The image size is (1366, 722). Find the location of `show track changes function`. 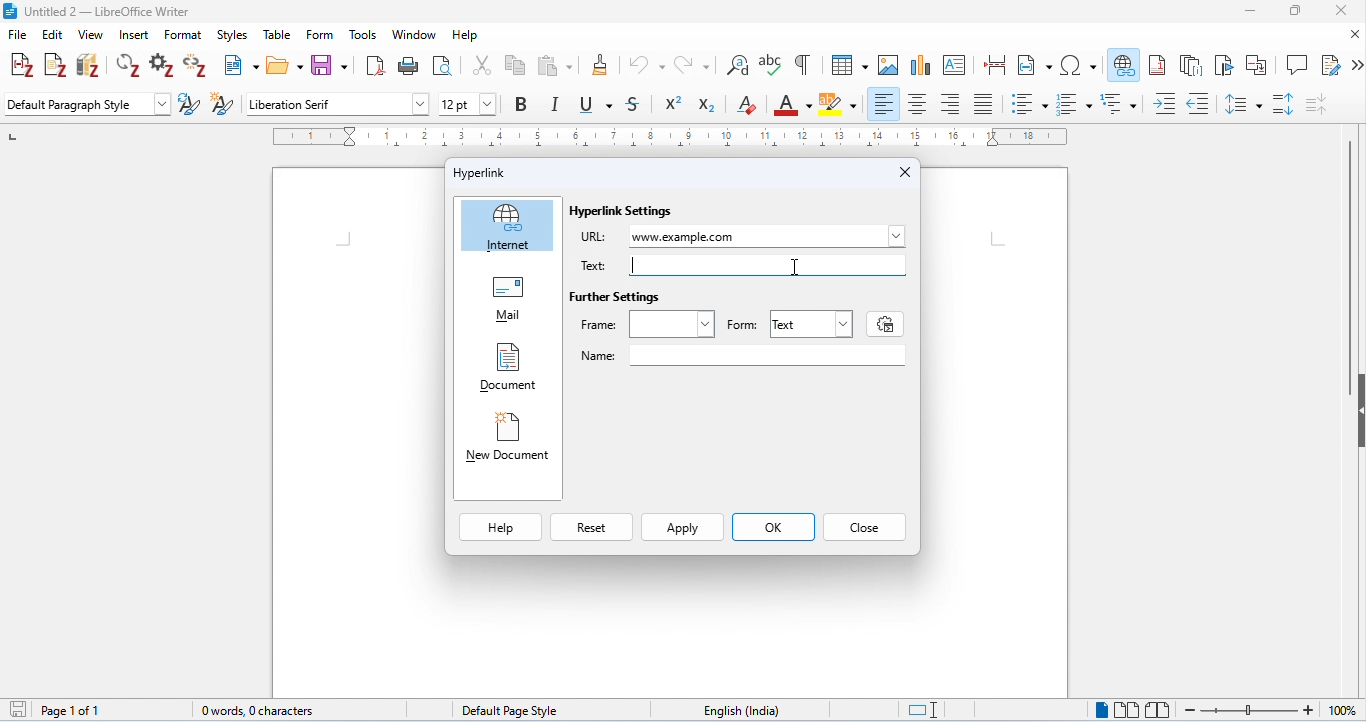

show track changes function is located at coordinates (1332, 64).